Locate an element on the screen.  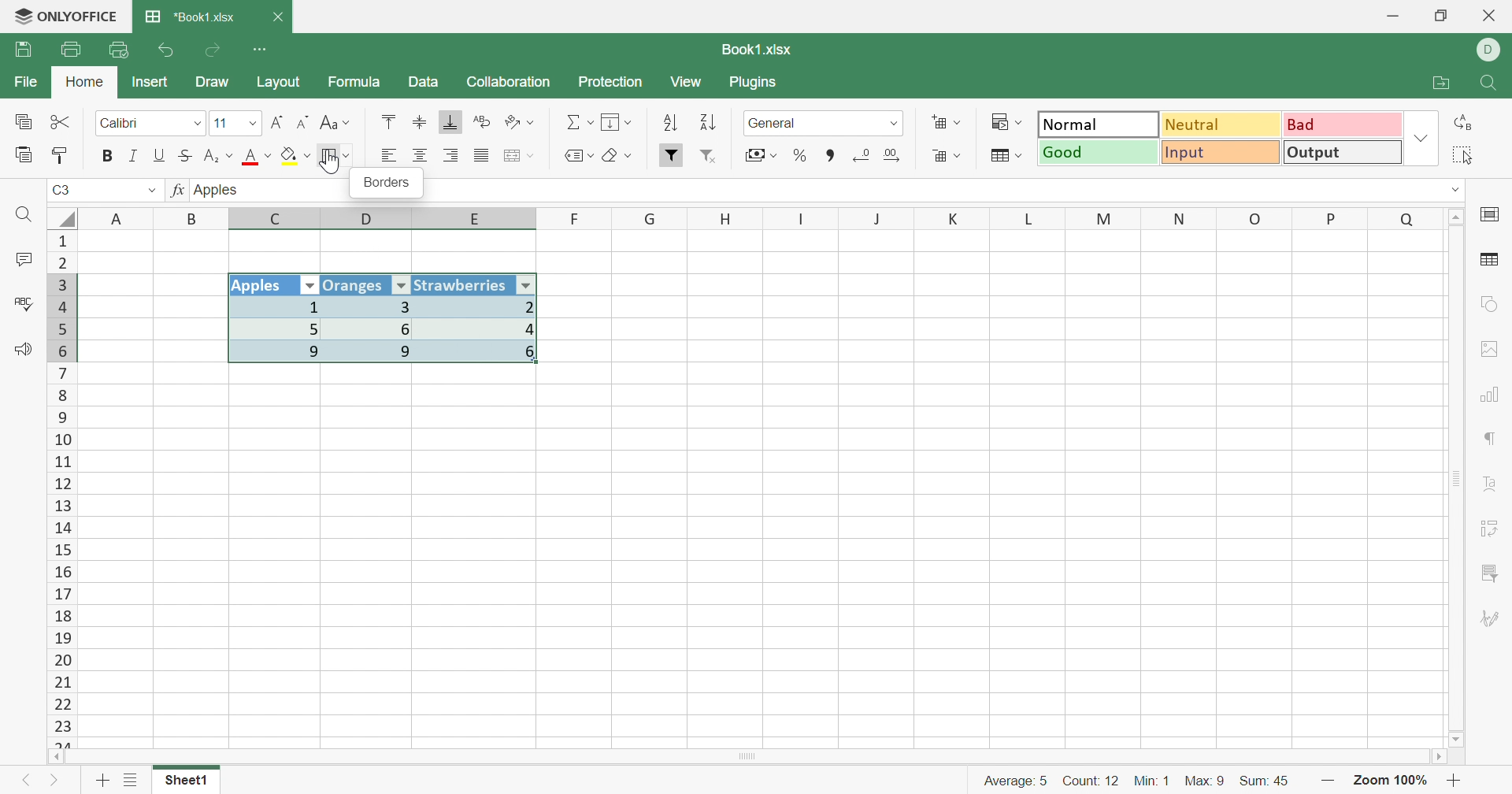
Next is located at coordinates (55, 784).